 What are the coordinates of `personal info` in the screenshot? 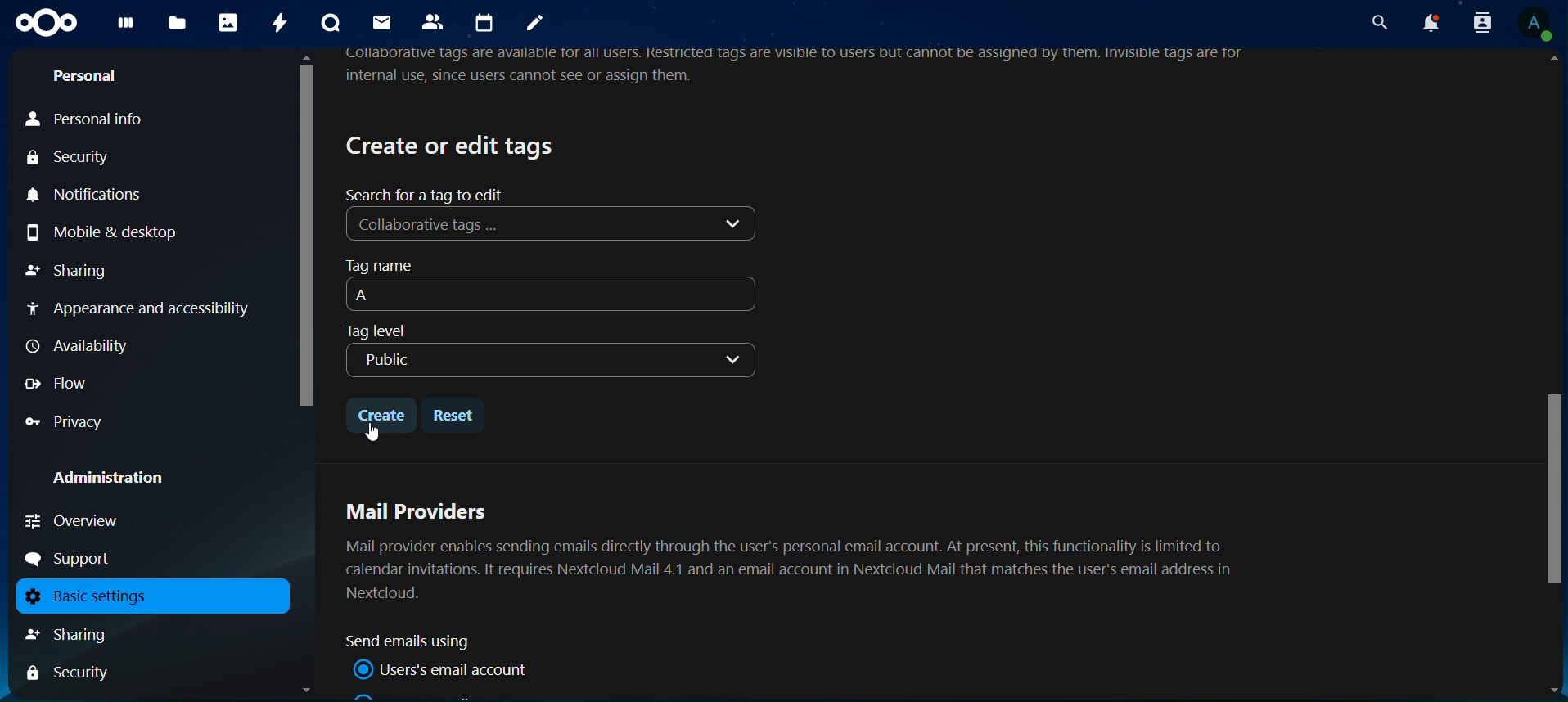 It's located at (107, 120).